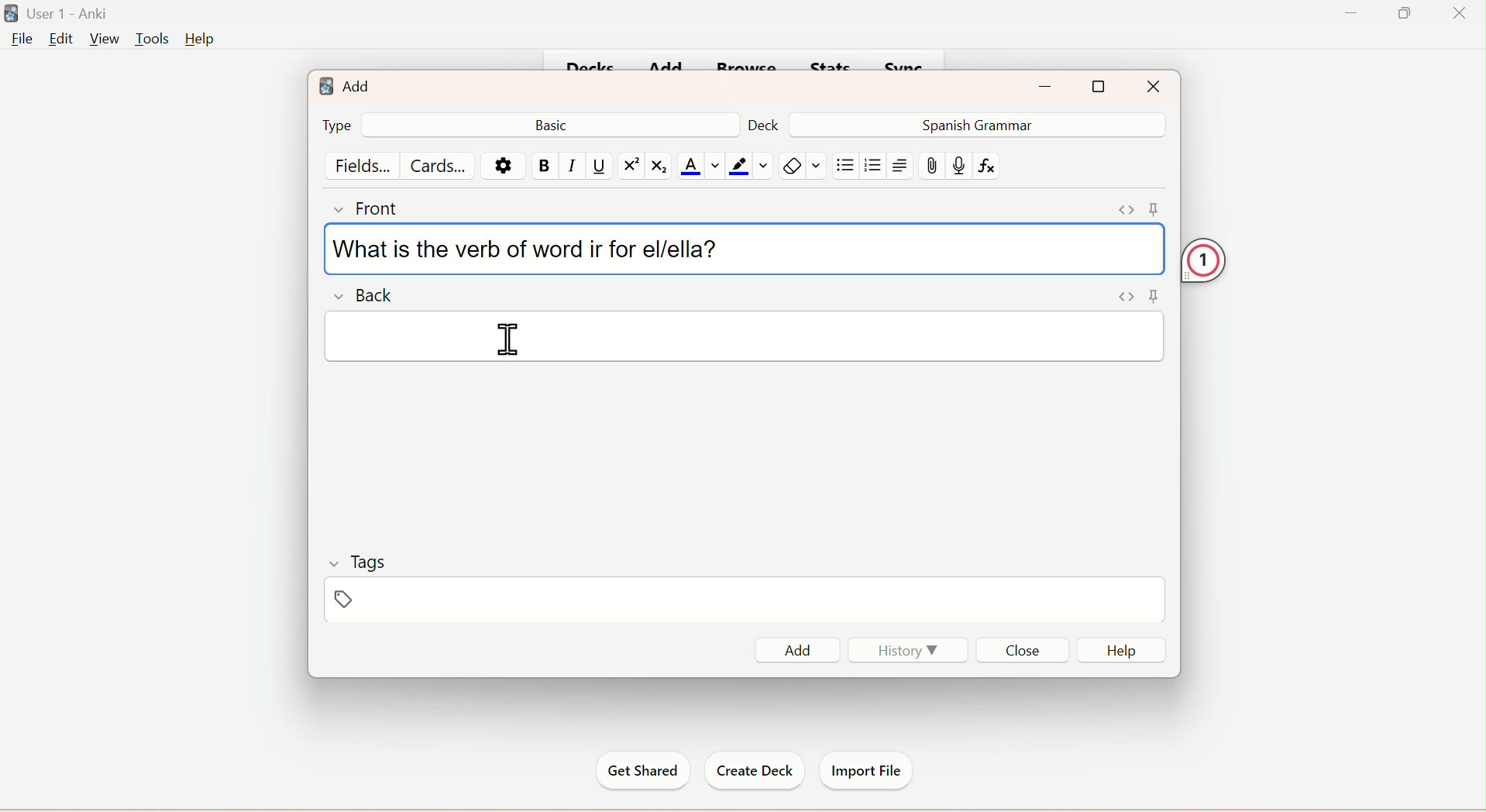 Image resolution: width=1486 pixels, height=812 pixels. Describe the element at coordinates (1136, 294) in the screenshot. I see `Pin` at that location.